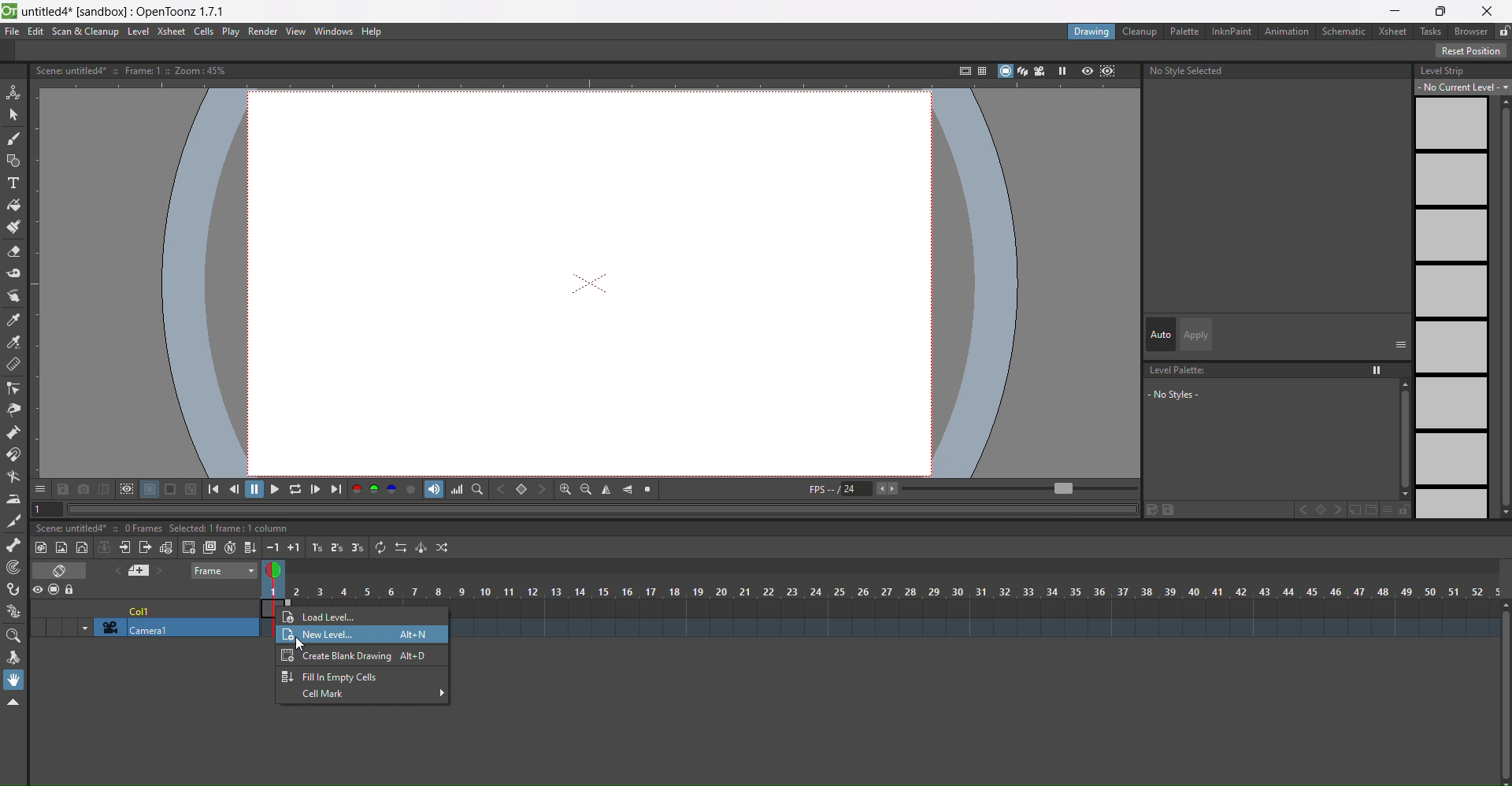  I want to click on xsheet, so click(1390, 30).